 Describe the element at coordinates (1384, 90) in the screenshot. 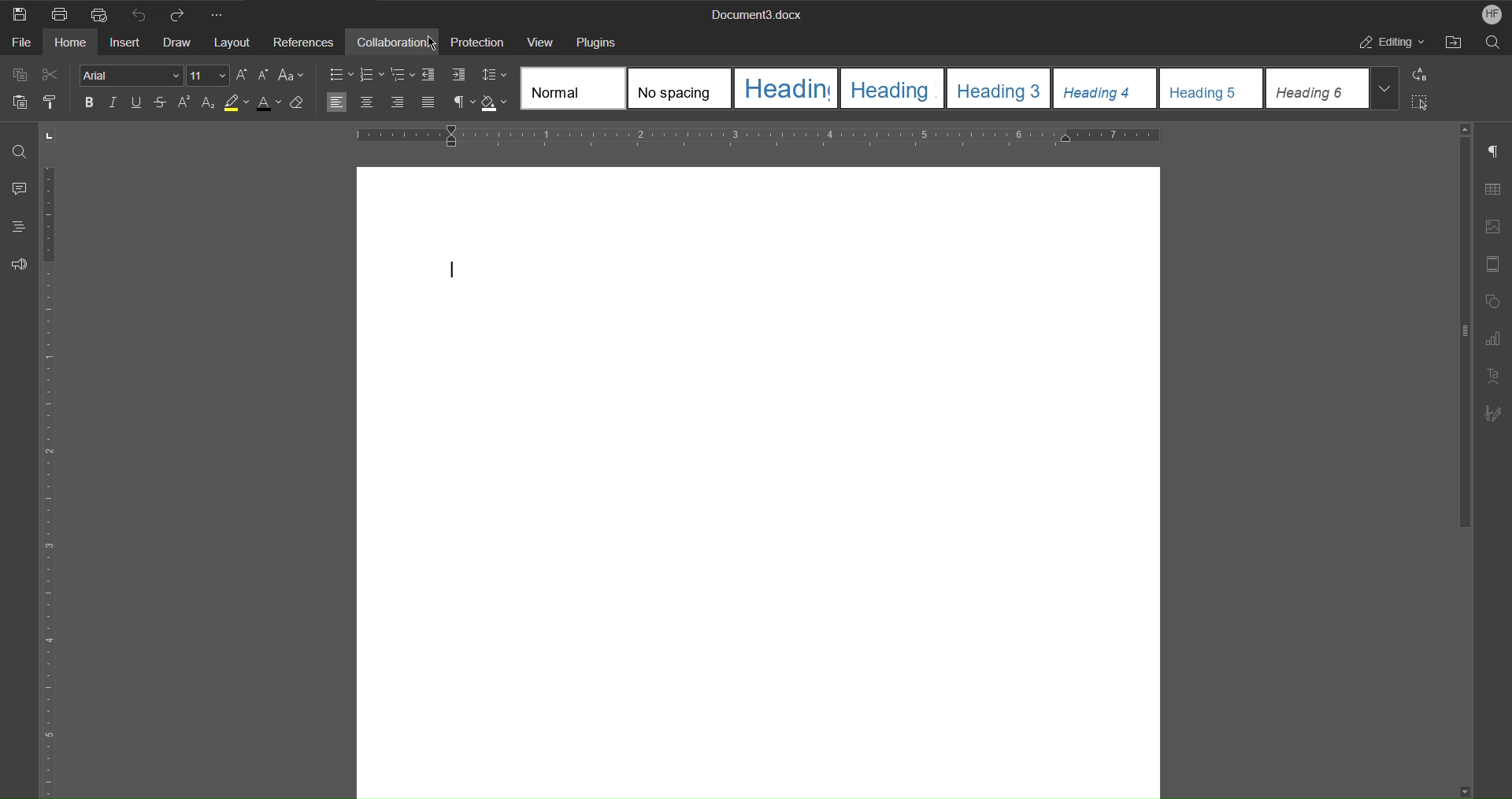

I see `More headings` at that location.